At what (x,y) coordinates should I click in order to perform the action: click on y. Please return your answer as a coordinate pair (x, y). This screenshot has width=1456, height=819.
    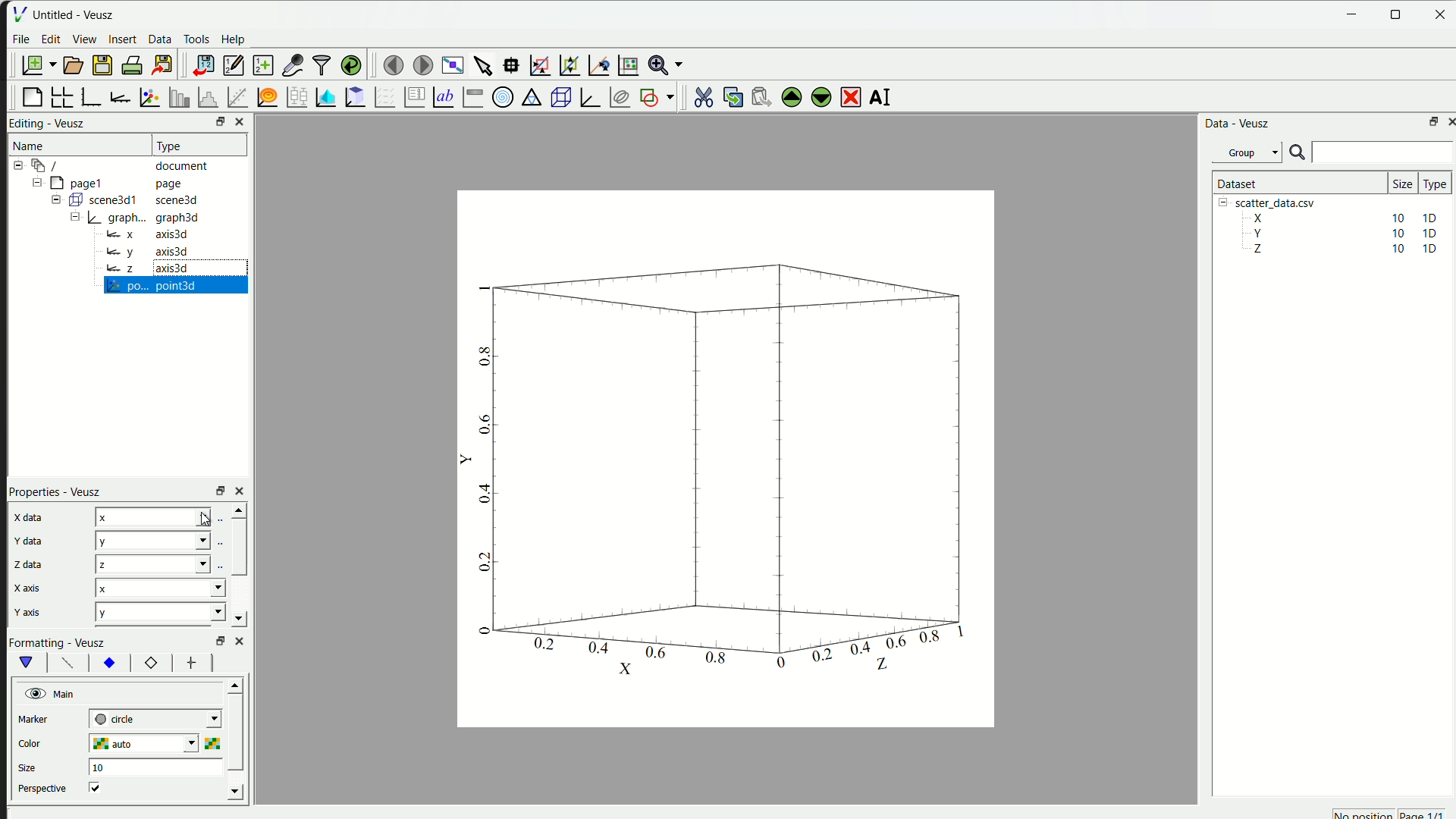
    Looking at the image, I should click on (160, 613).